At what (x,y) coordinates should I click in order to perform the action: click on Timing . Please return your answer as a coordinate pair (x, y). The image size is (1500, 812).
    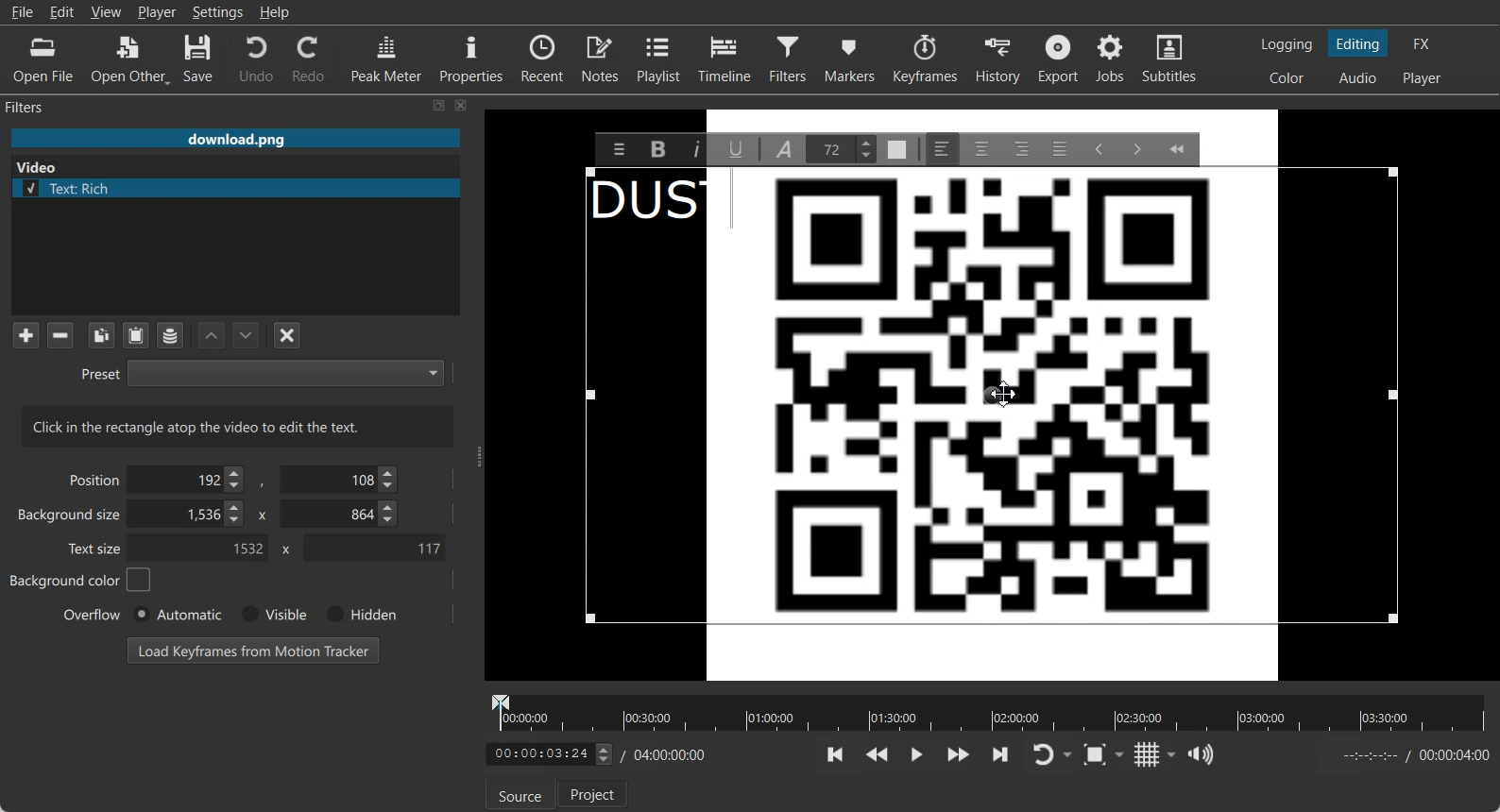
    Looking at the image, I should click on (666, 755).